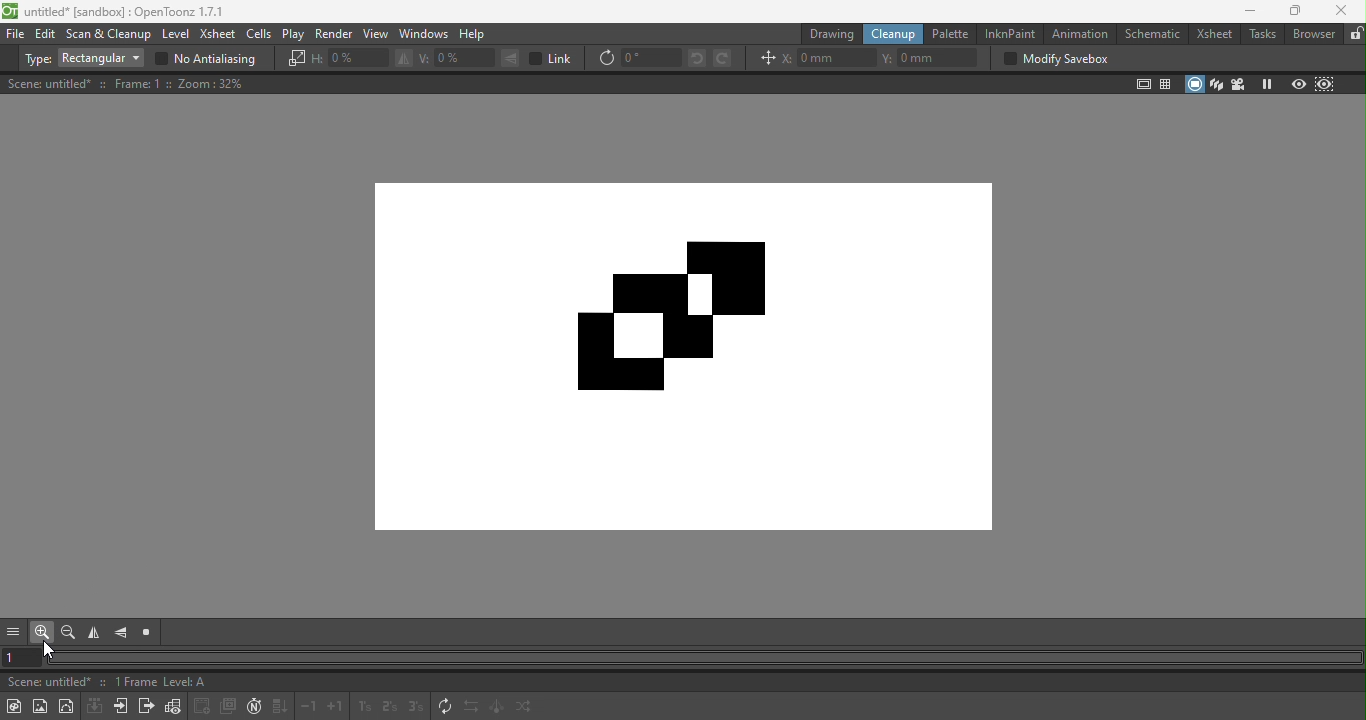 This screenshot has width=1366, height=720. Describe the element at coordinates (498, 708) in the screenshot. I see `Swing` at that location.